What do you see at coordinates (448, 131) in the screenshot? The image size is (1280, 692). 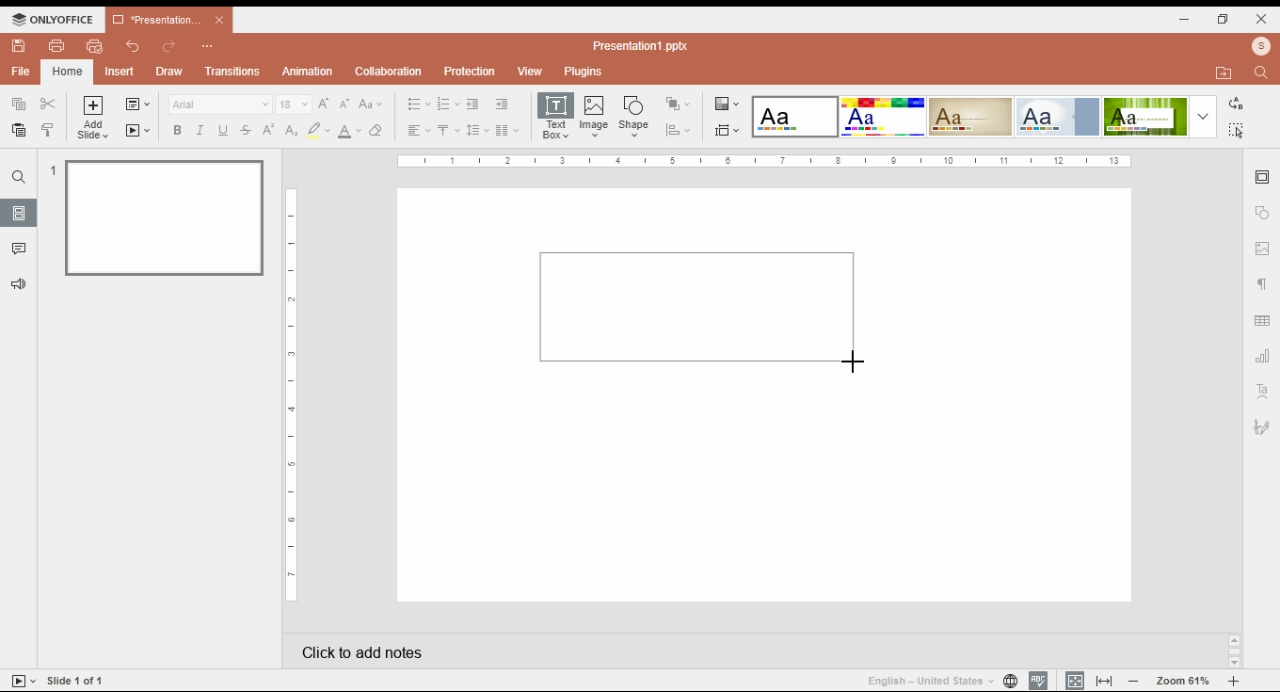 I see `vertical alignment` at bounding box center [448, 131].